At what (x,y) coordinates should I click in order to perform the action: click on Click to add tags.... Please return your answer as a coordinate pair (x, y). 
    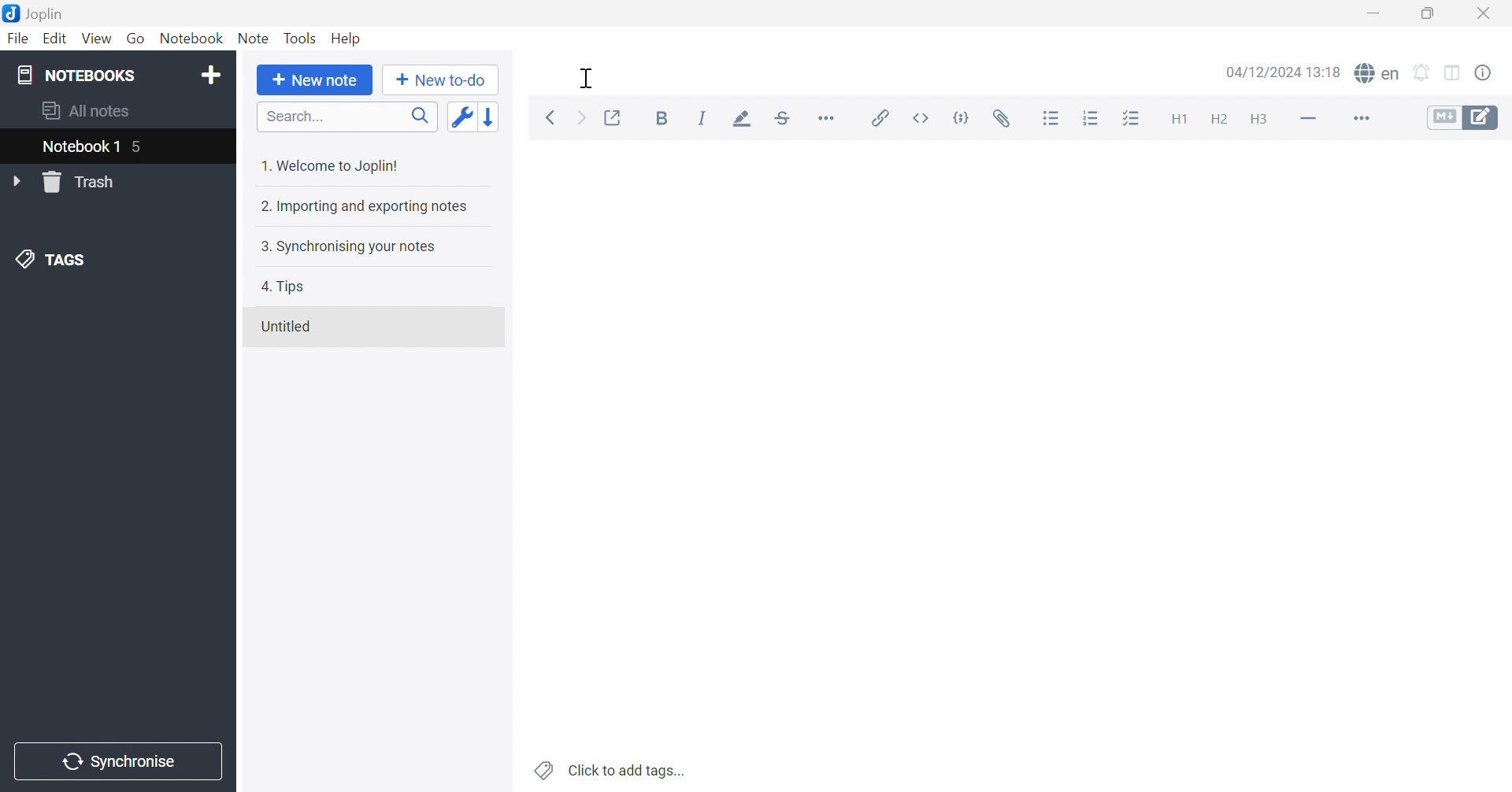
    Looking at the image, I should click on (610, 769).